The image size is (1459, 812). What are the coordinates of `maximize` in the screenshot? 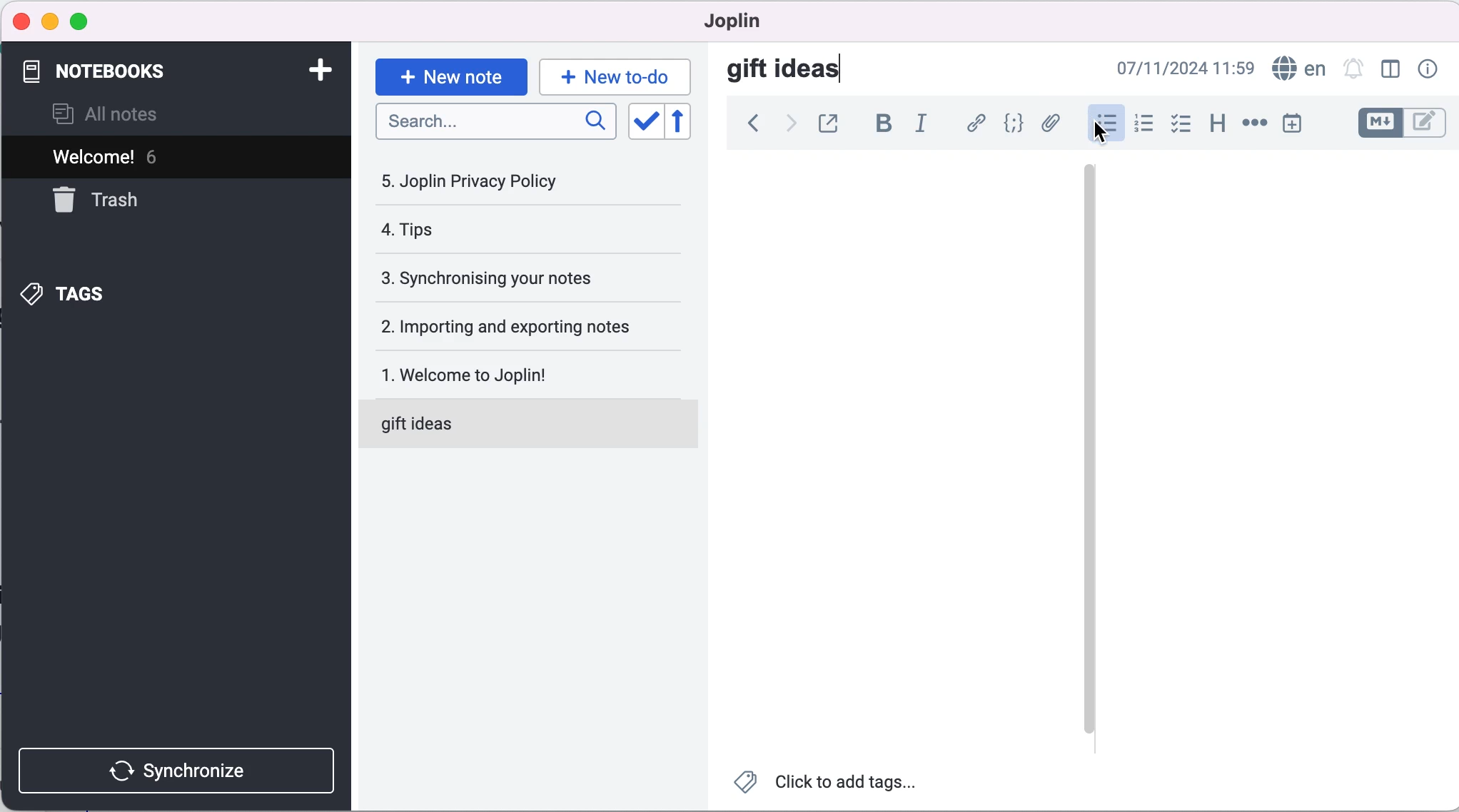 It's located at (86, 20).